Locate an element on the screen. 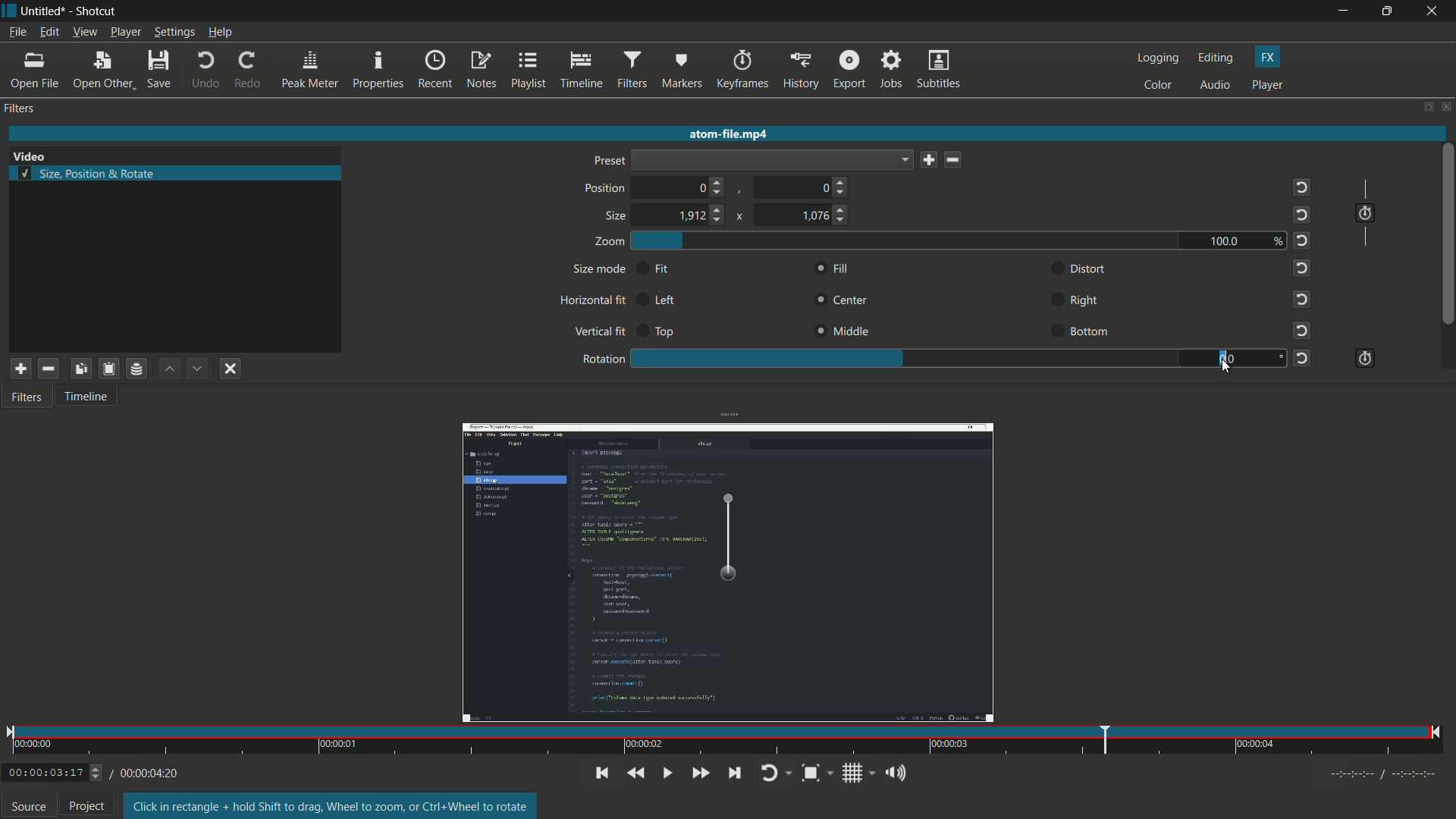 This screenshot has width=1456, height=819. source is located at coordinates (29, 807).